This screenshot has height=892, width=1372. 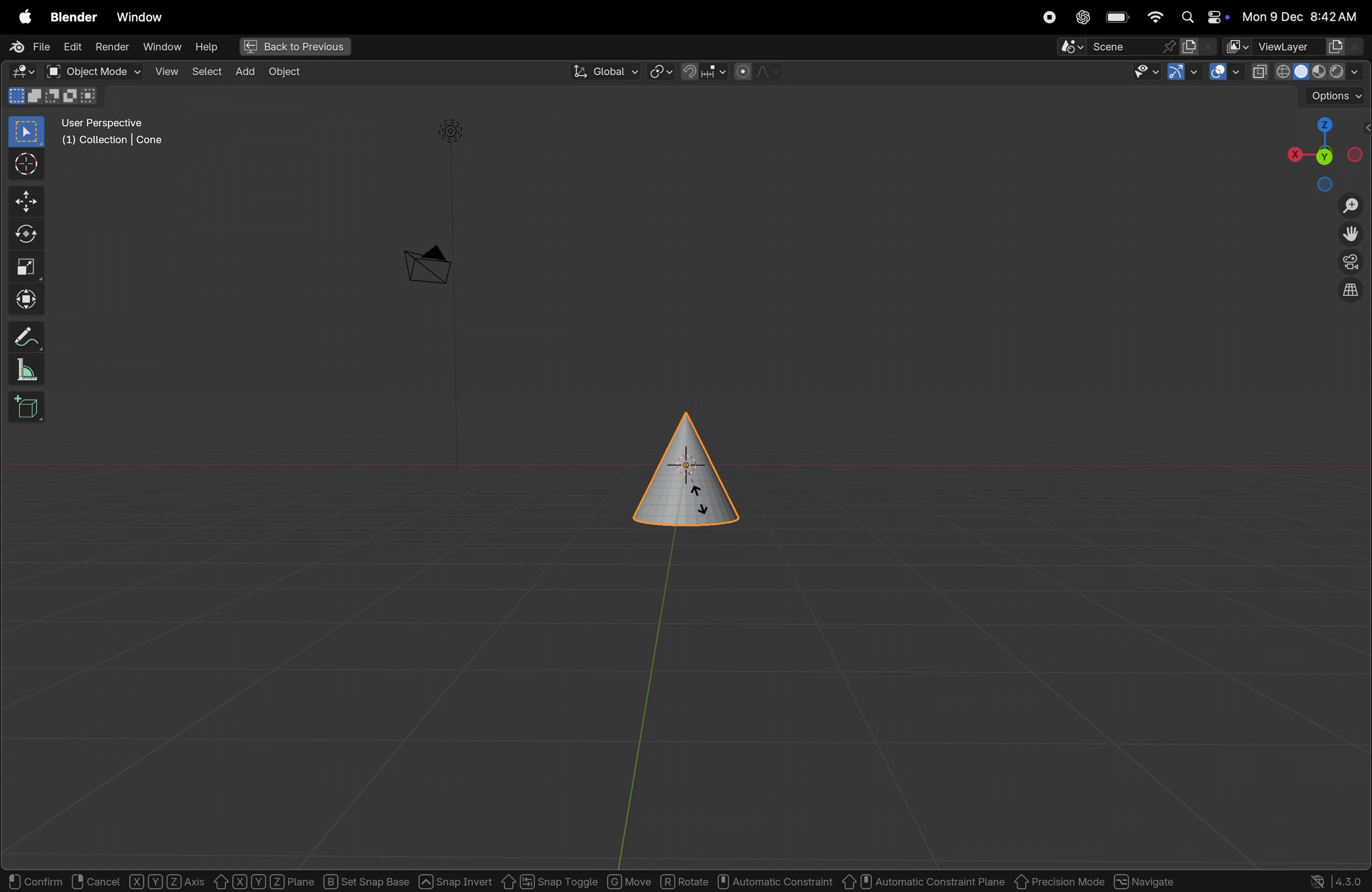 I want to click on battery, so click(x=1118, y=17).